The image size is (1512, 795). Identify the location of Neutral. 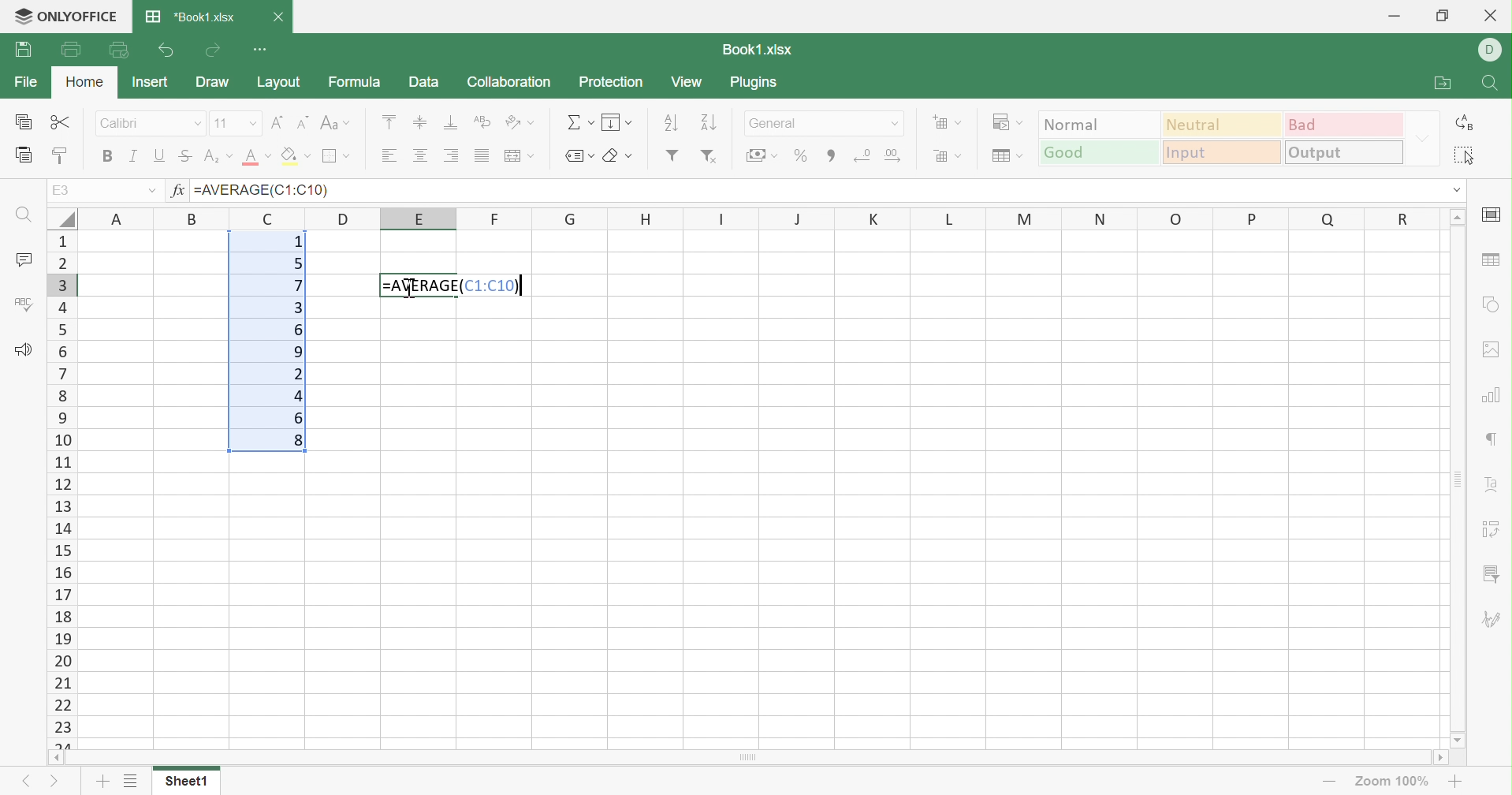
(1221, 126).